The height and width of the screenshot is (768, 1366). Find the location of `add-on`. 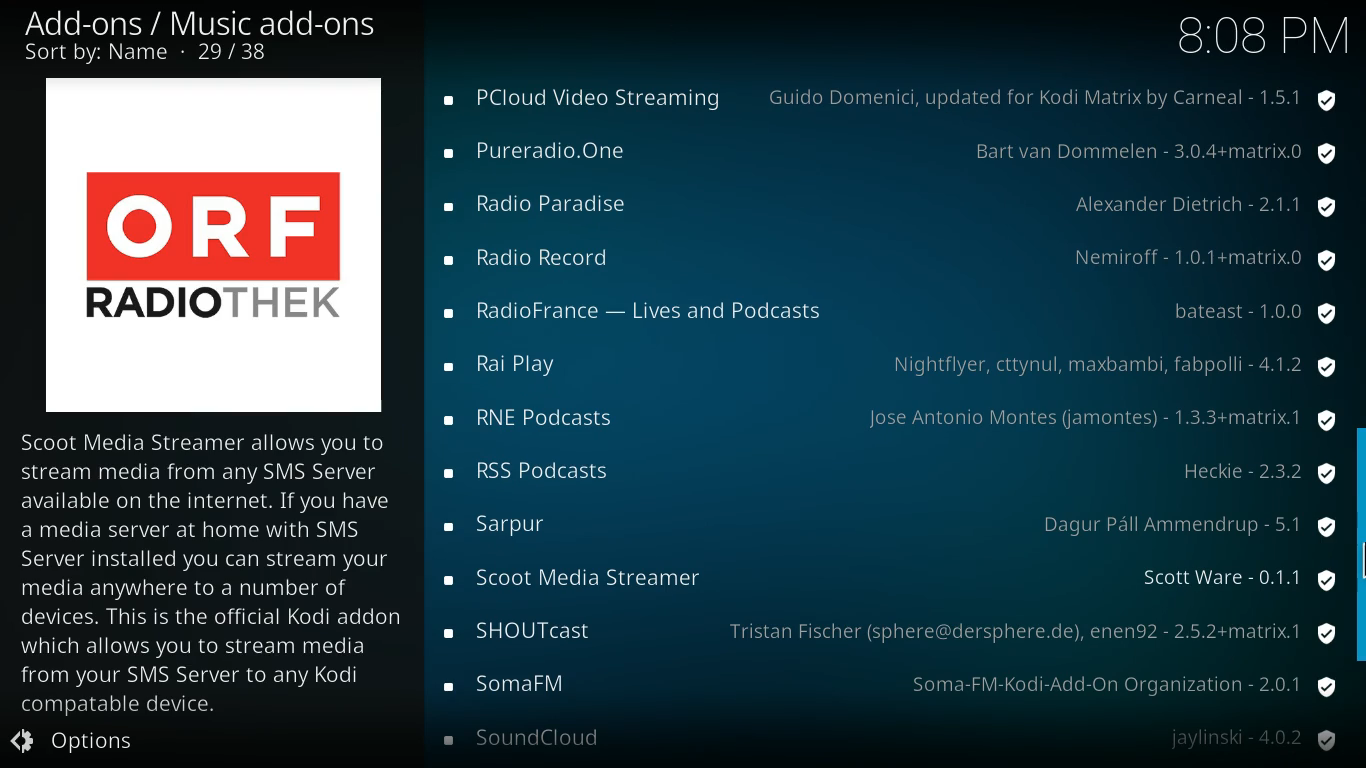

add-on is located at coordinates (539, 153).